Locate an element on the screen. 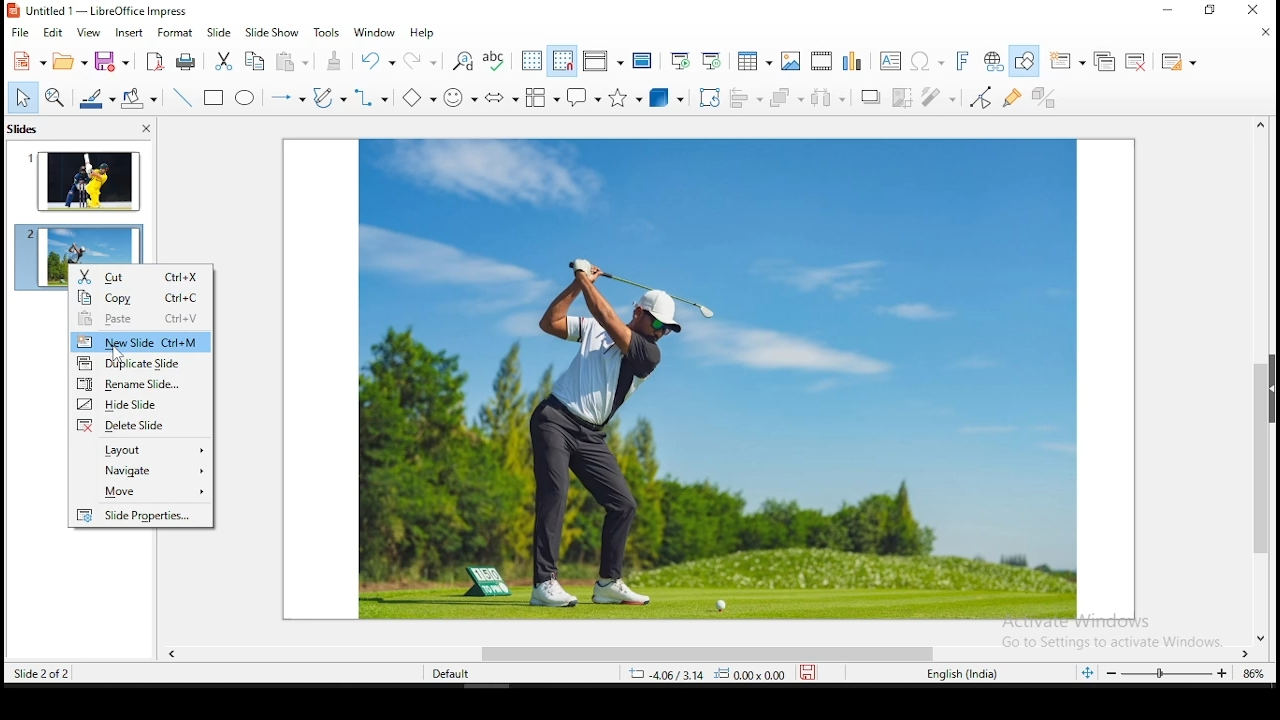 This screenshot has width=1280, height=720. help is located at coordinates (424, 32).